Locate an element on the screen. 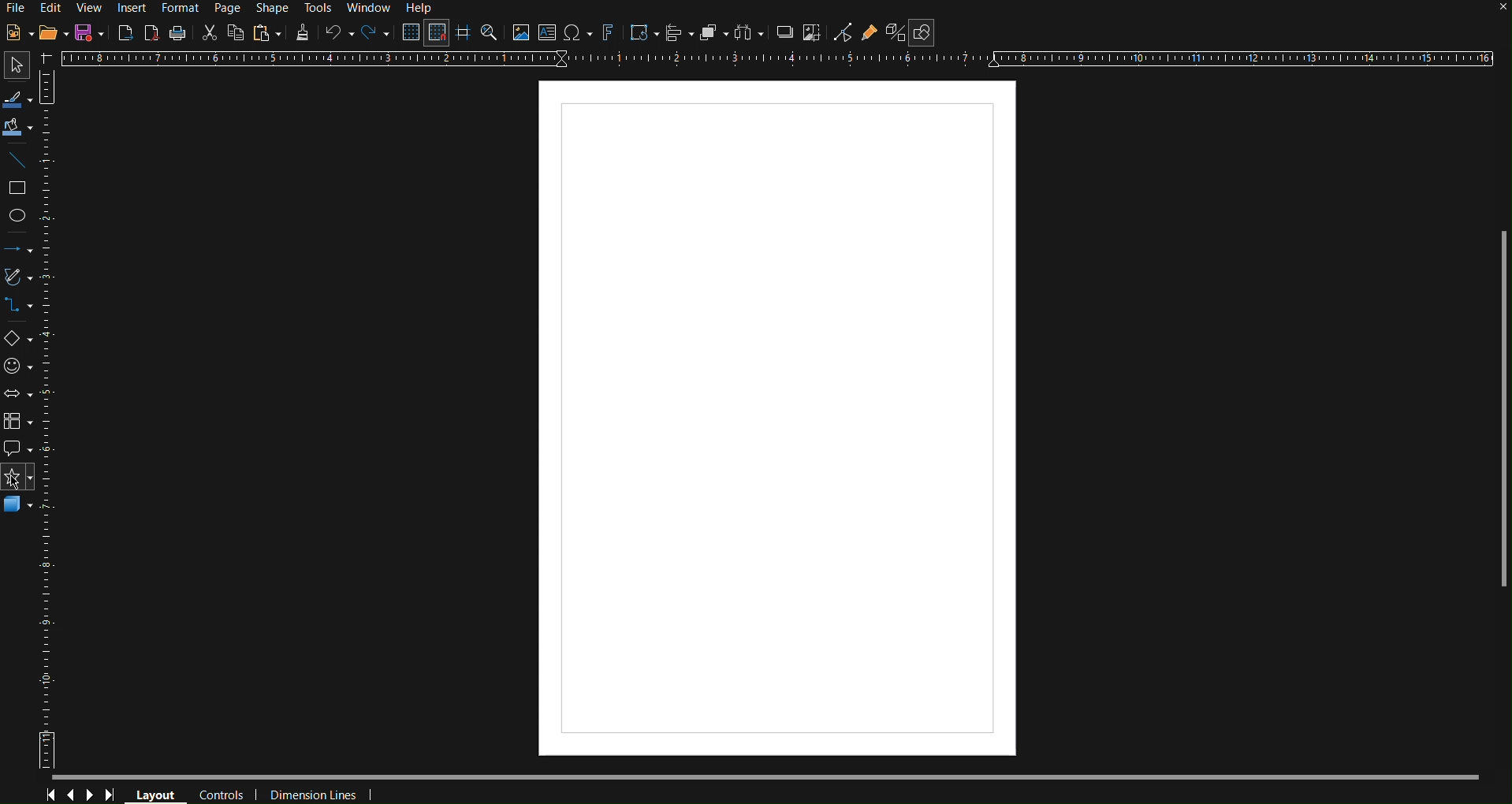 The height and width of the screenshot is (804, 1512). Insert Special Character is located at coordinates (577, 34).